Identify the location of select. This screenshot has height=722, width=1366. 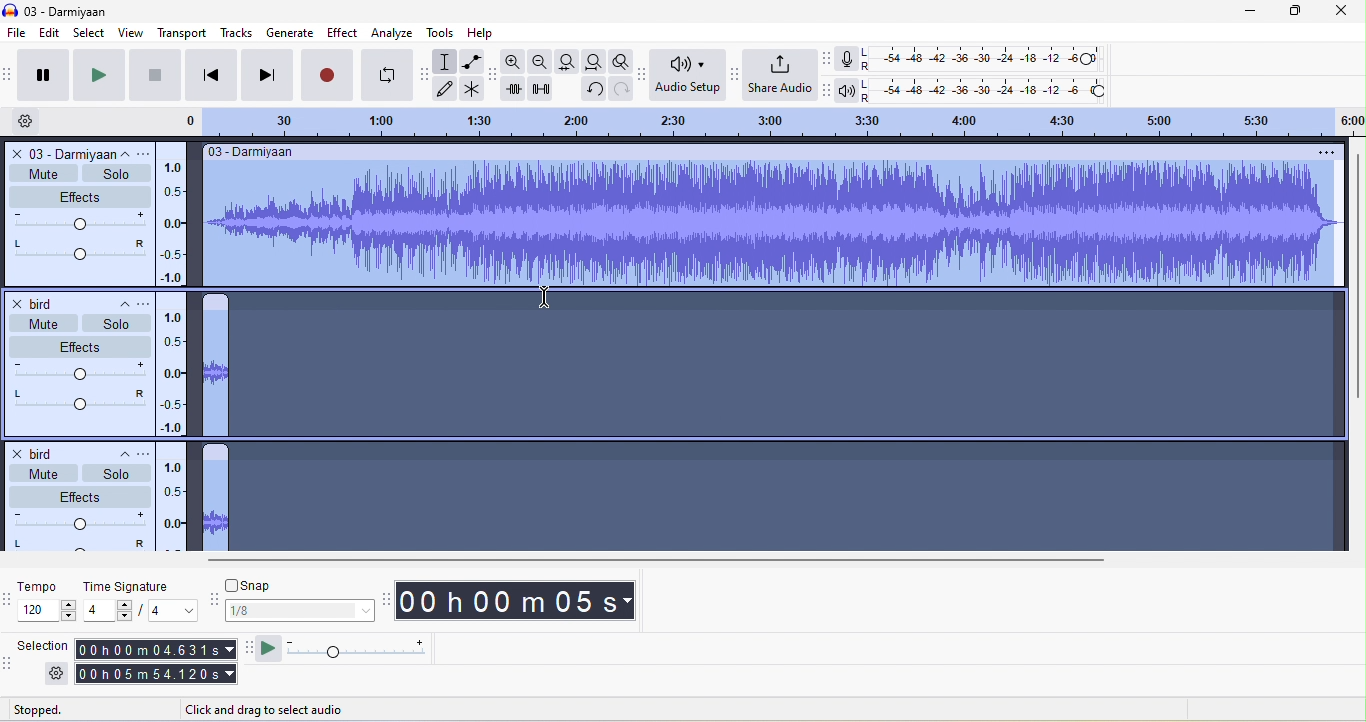
(92, 32).